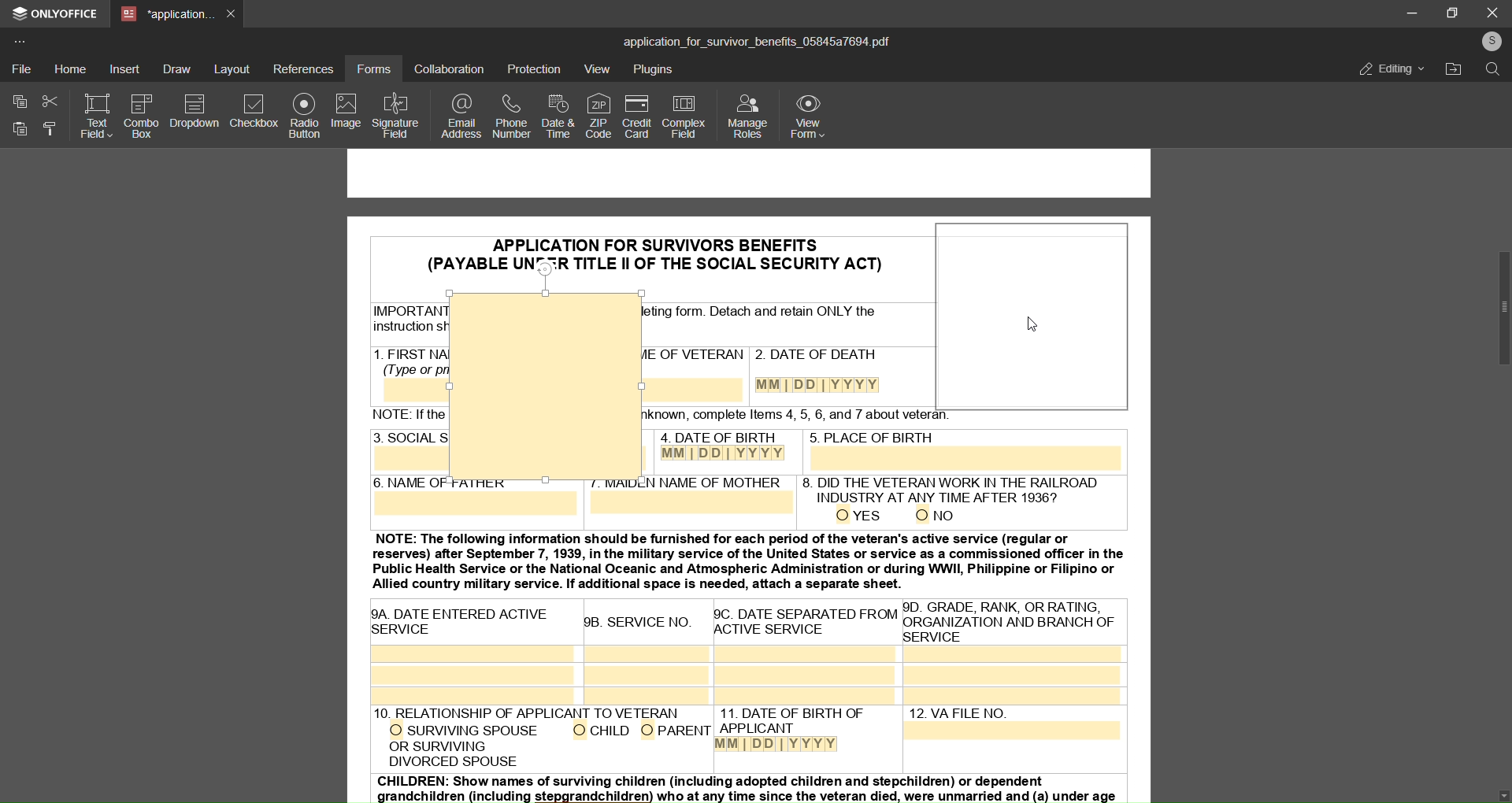  I want to click on layout, so click(233, 68).